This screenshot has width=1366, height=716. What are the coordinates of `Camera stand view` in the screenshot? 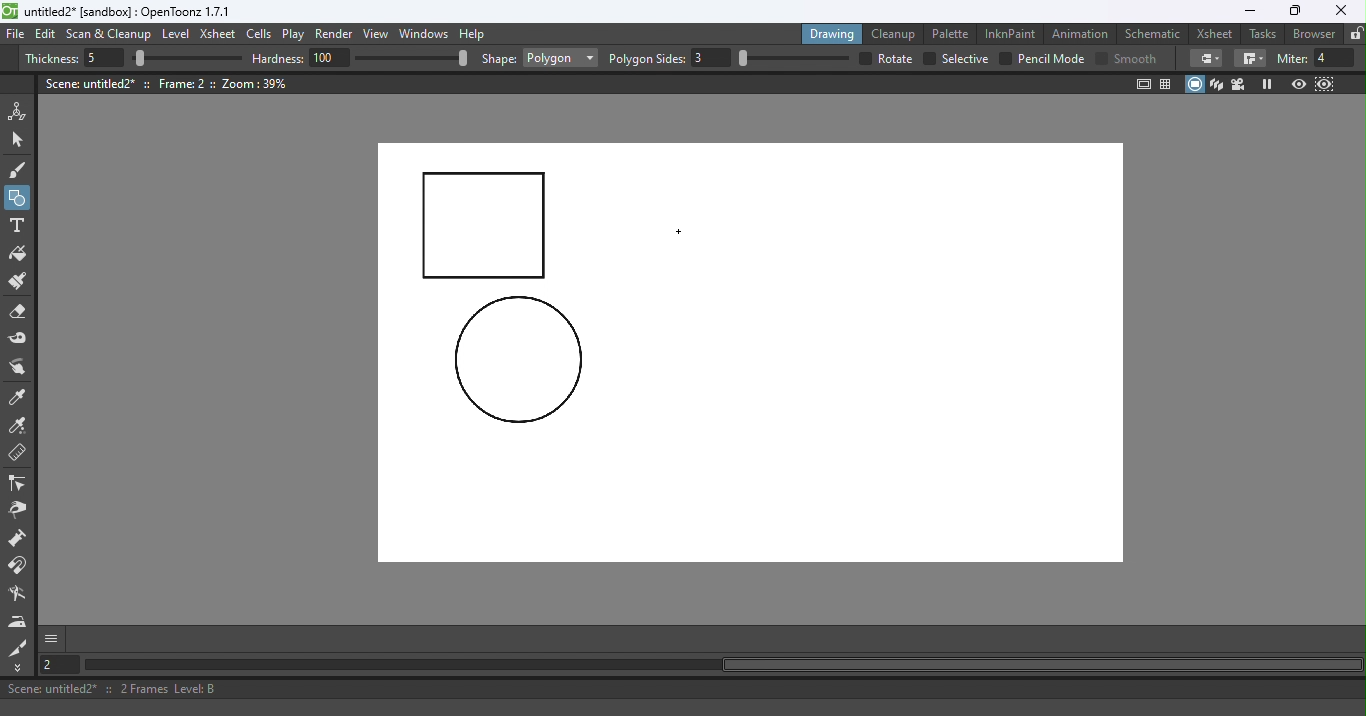 It's located at (1196, 84).